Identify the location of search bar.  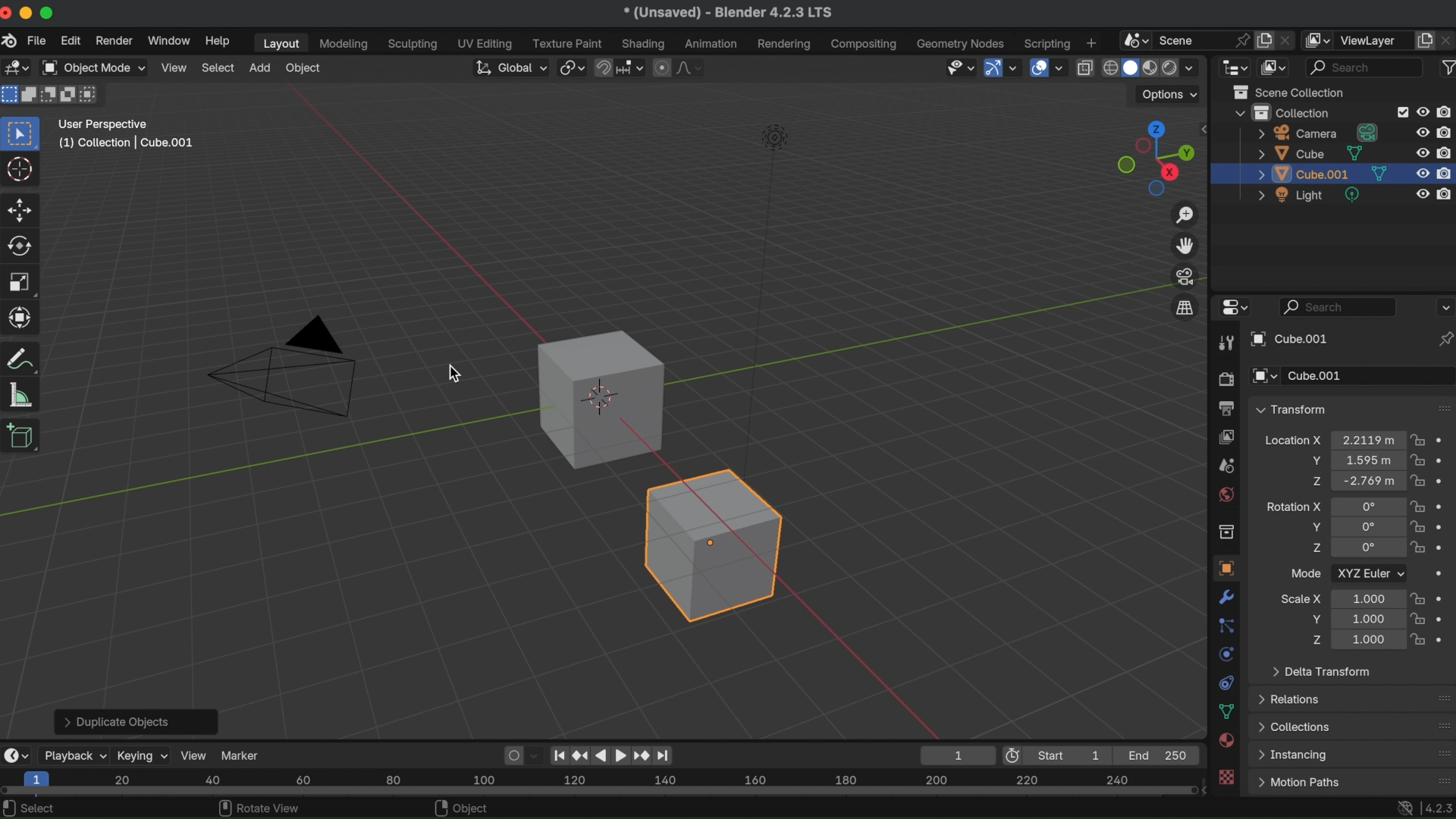
(1338, 306).